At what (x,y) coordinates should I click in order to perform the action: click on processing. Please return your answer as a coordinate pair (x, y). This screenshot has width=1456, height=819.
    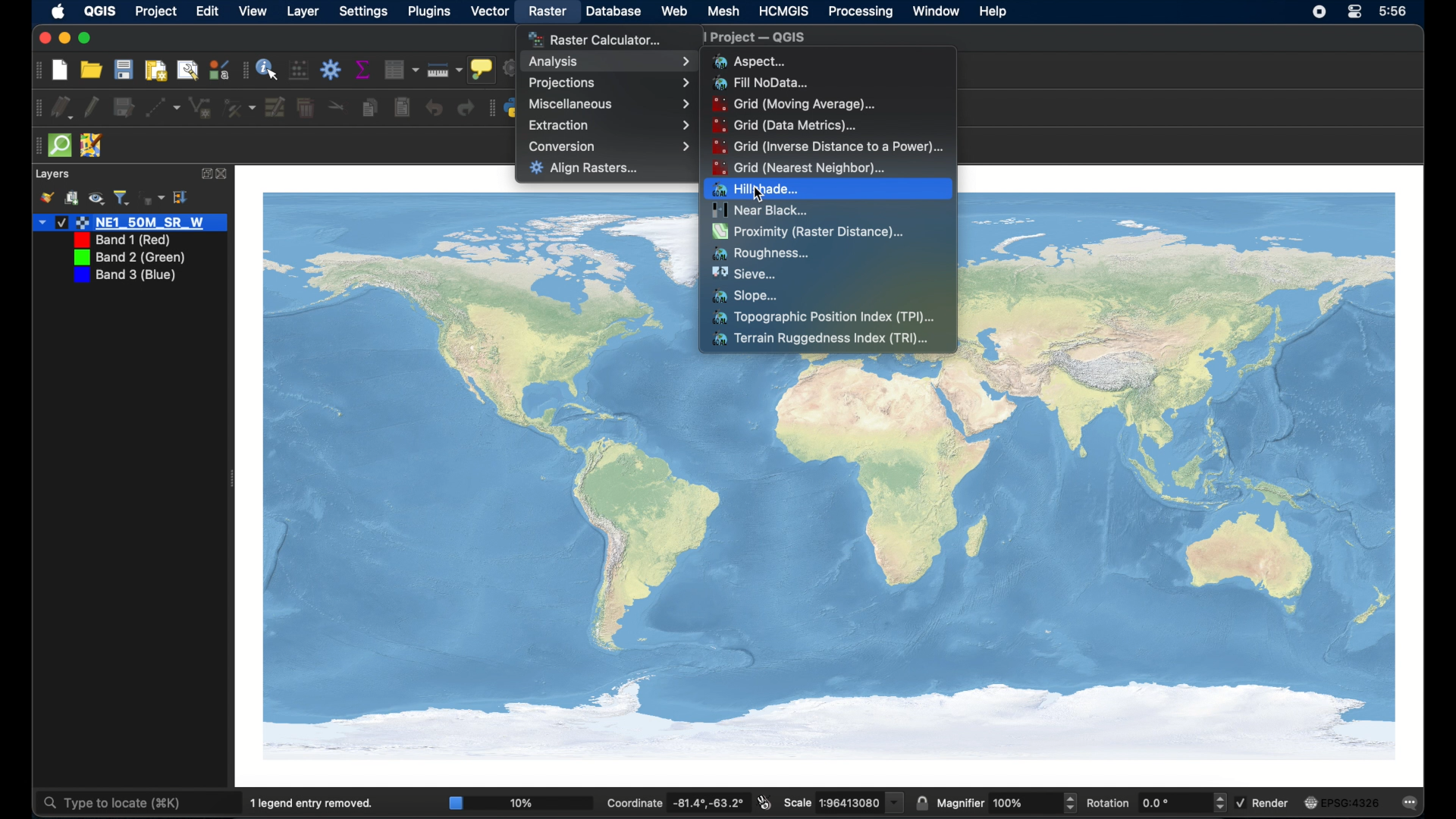
    Looking at the image, I should click on (861, 13).